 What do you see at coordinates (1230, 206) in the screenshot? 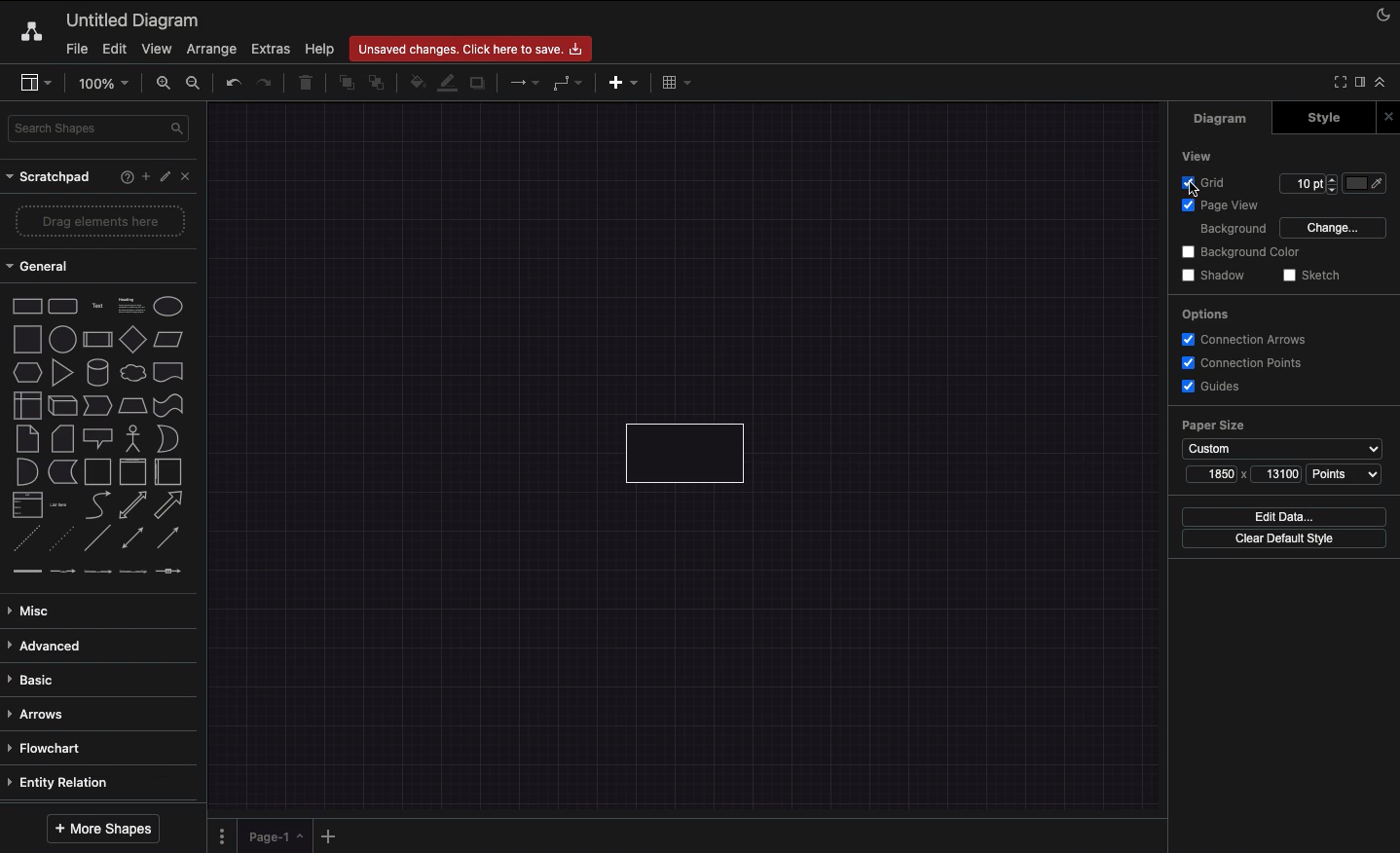
I see `Page view` at bounding box center [1230, 206].